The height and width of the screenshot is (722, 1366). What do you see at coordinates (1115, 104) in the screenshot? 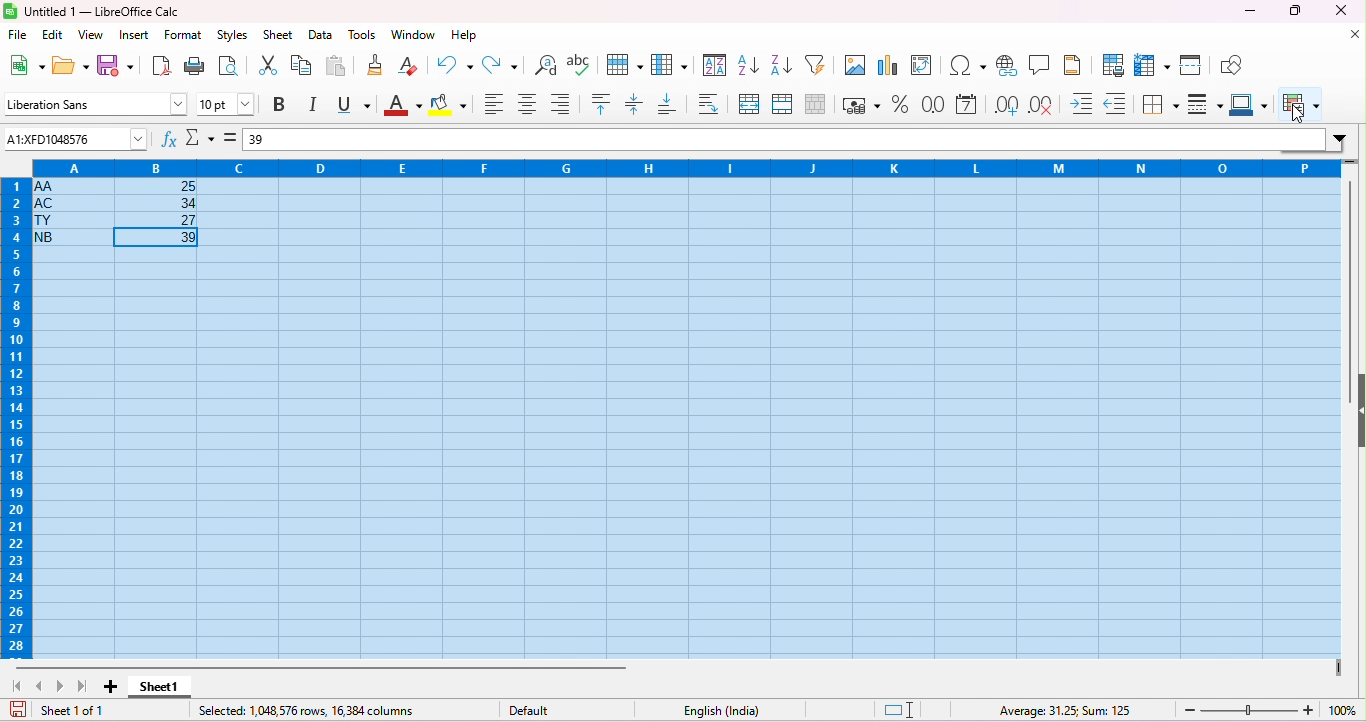
I see `decrease indent` at bounding box center [1115, 104].